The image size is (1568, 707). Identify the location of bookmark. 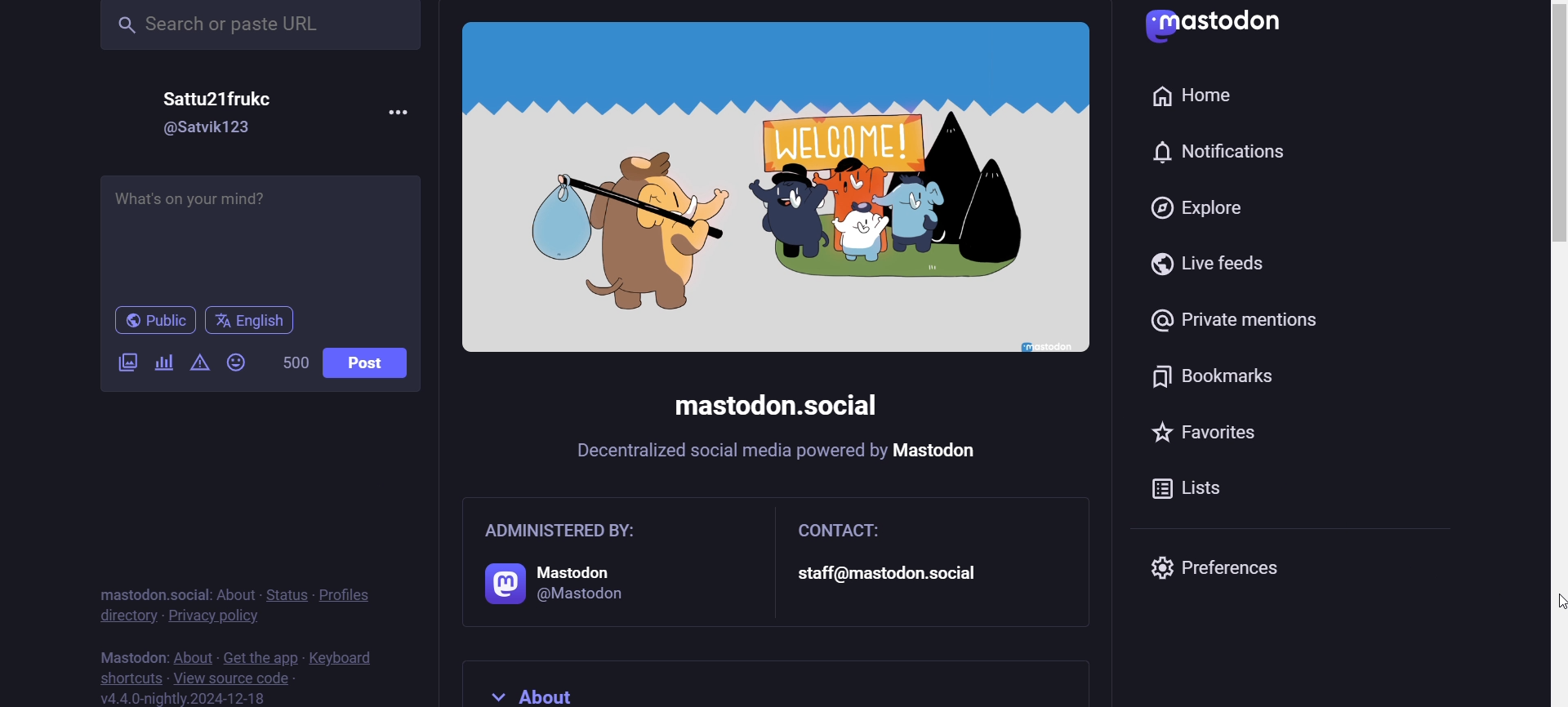
(1221, 380).